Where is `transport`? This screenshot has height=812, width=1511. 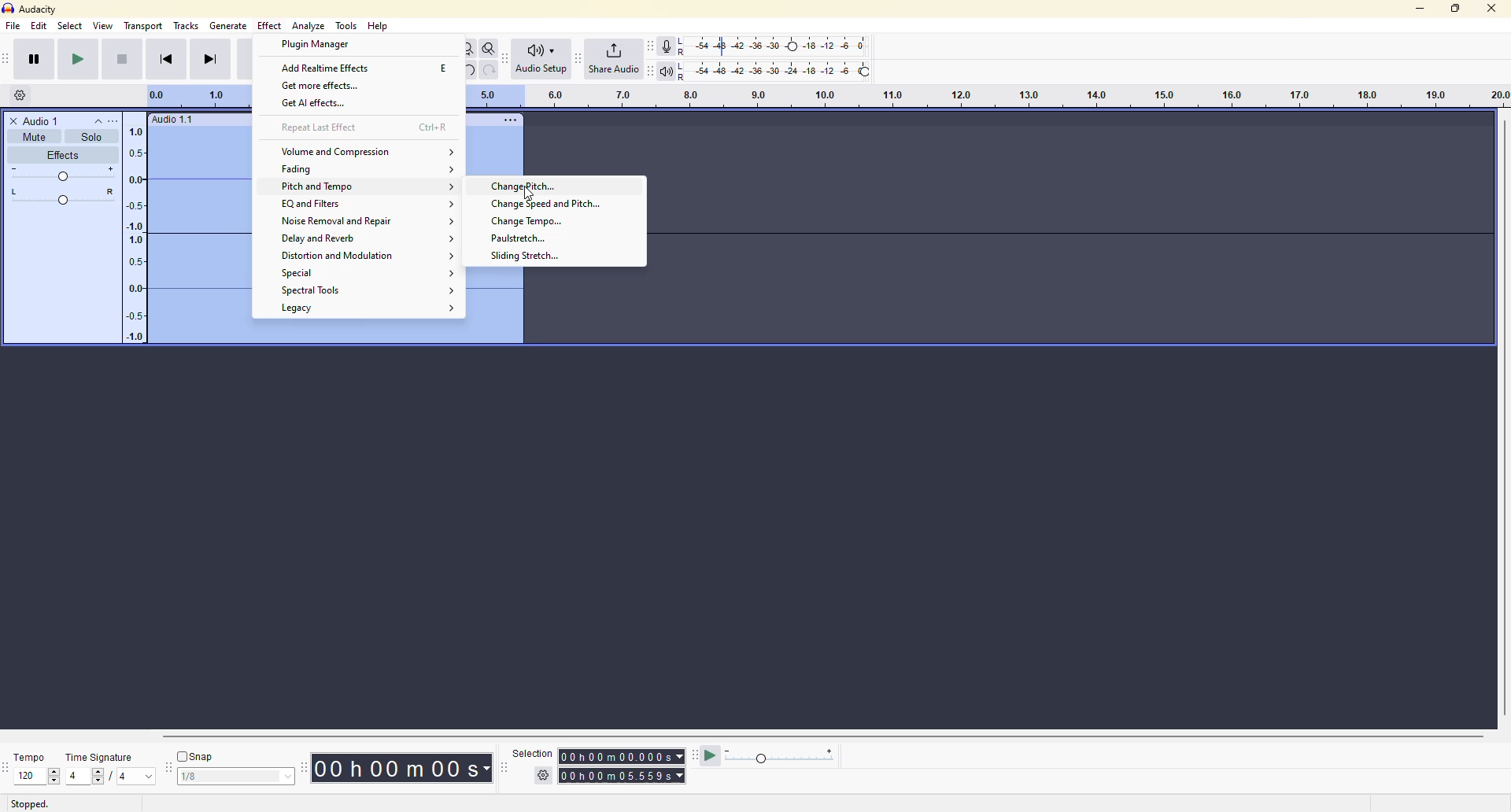
transport is located at coordinates (144, 25).